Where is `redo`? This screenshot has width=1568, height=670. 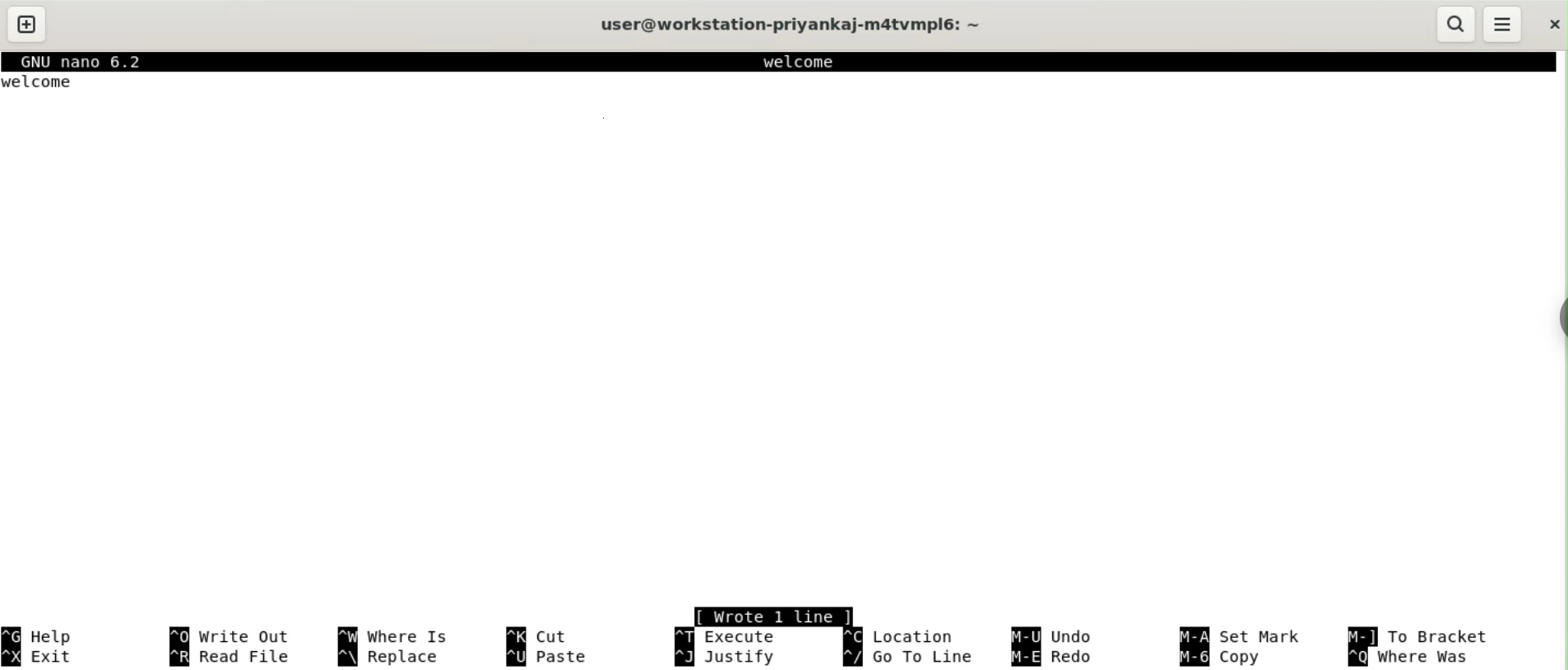 redo is located at coordinates (1058, 658).